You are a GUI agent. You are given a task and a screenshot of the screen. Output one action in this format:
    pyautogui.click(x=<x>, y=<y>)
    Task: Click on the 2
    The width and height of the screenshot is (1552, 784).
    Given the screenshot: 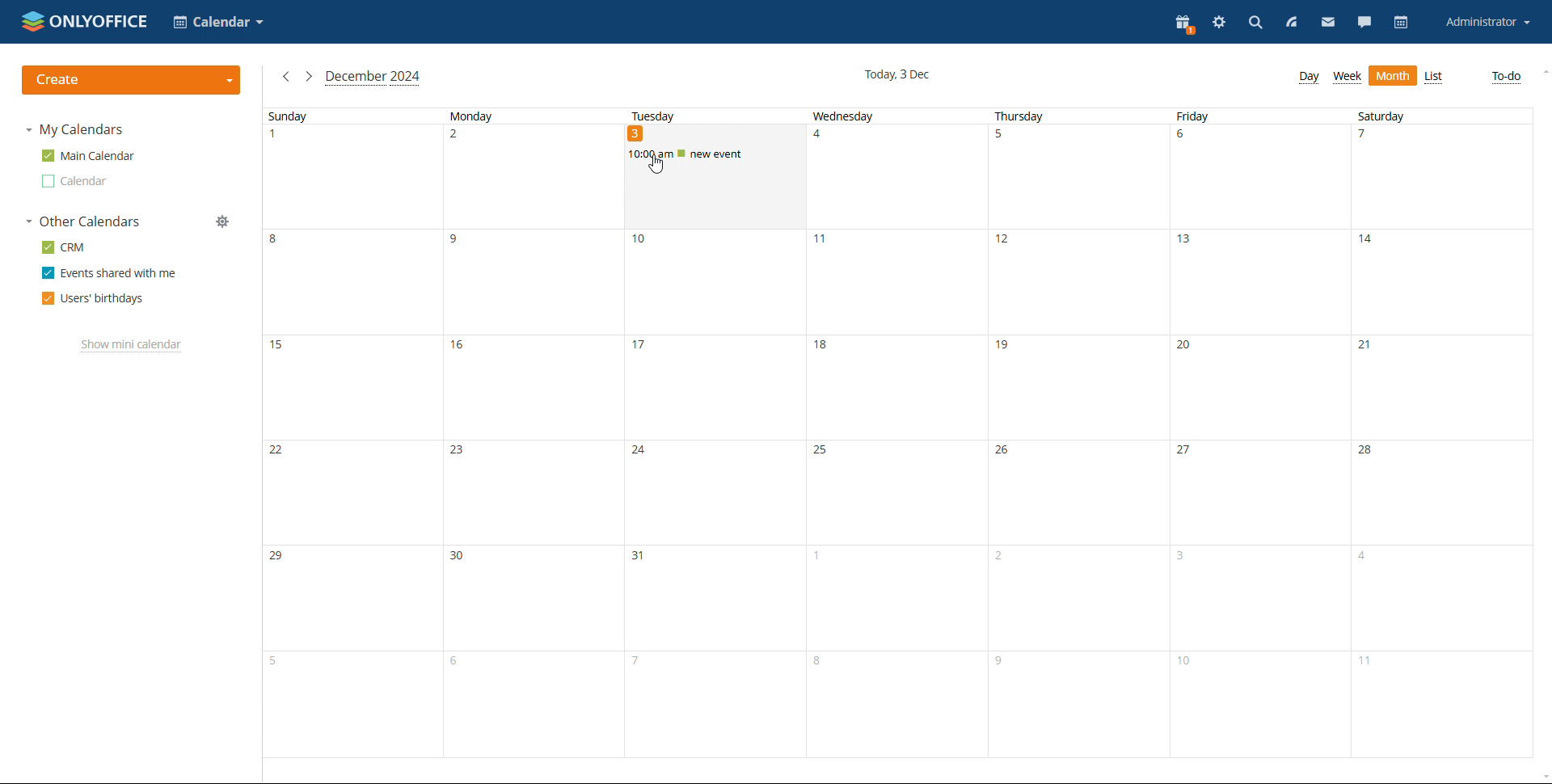 What is the action you would take?
    pyautogui.click(x=531, y=178)
    